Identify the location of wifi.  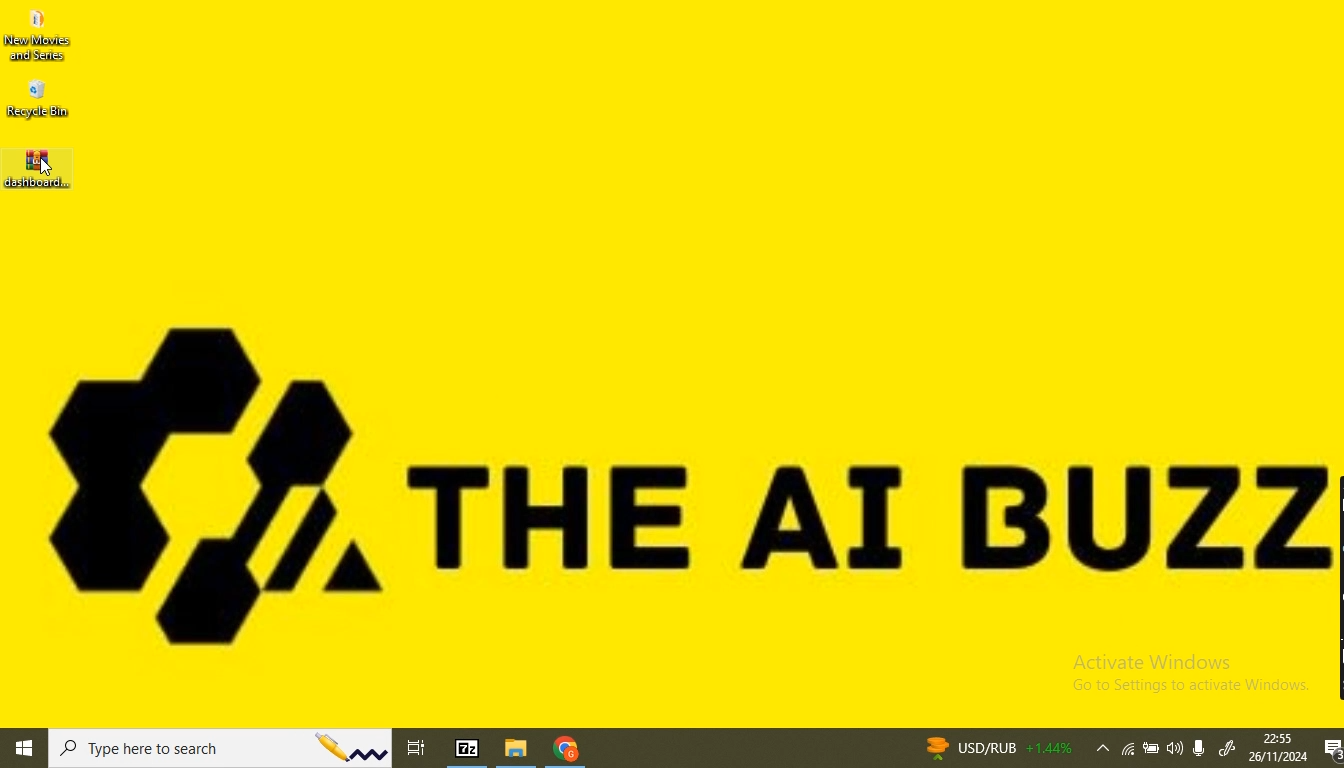
(1129, 751).